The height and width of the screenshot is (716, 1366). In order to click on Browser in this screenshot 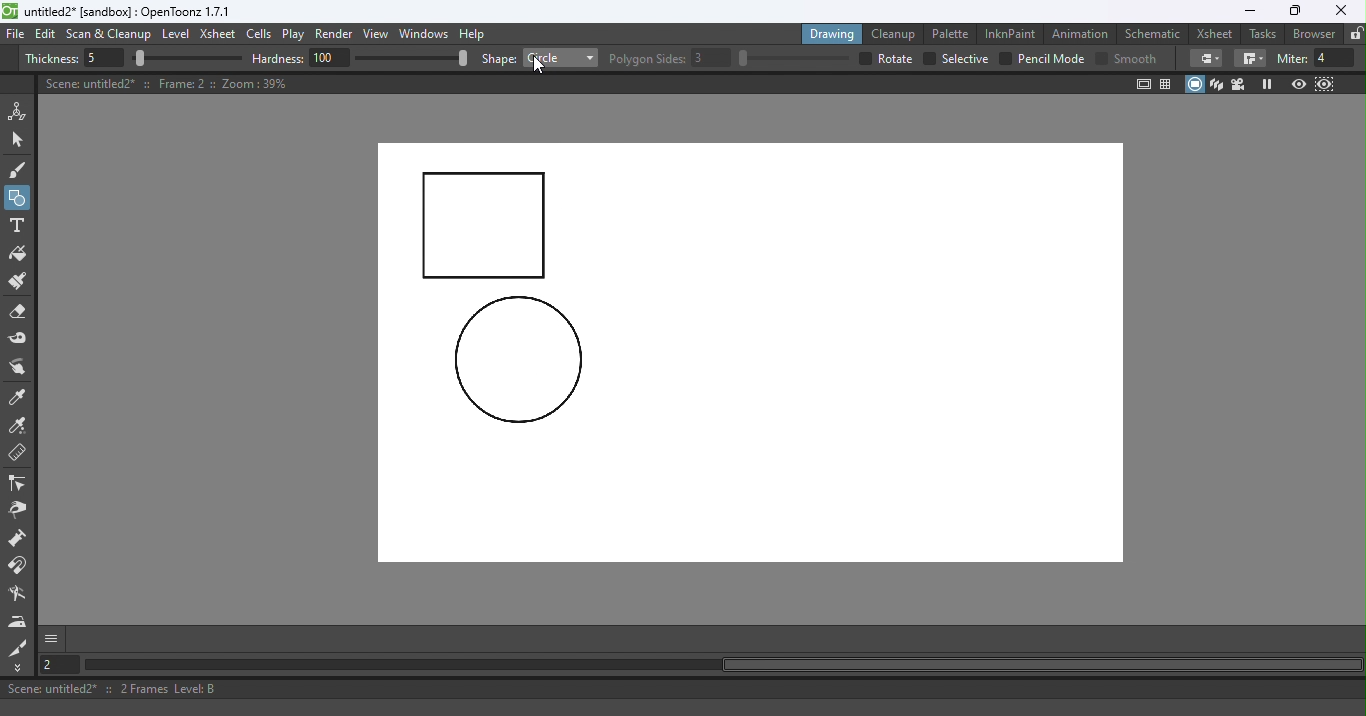, I will do `click(1311, 33)`.